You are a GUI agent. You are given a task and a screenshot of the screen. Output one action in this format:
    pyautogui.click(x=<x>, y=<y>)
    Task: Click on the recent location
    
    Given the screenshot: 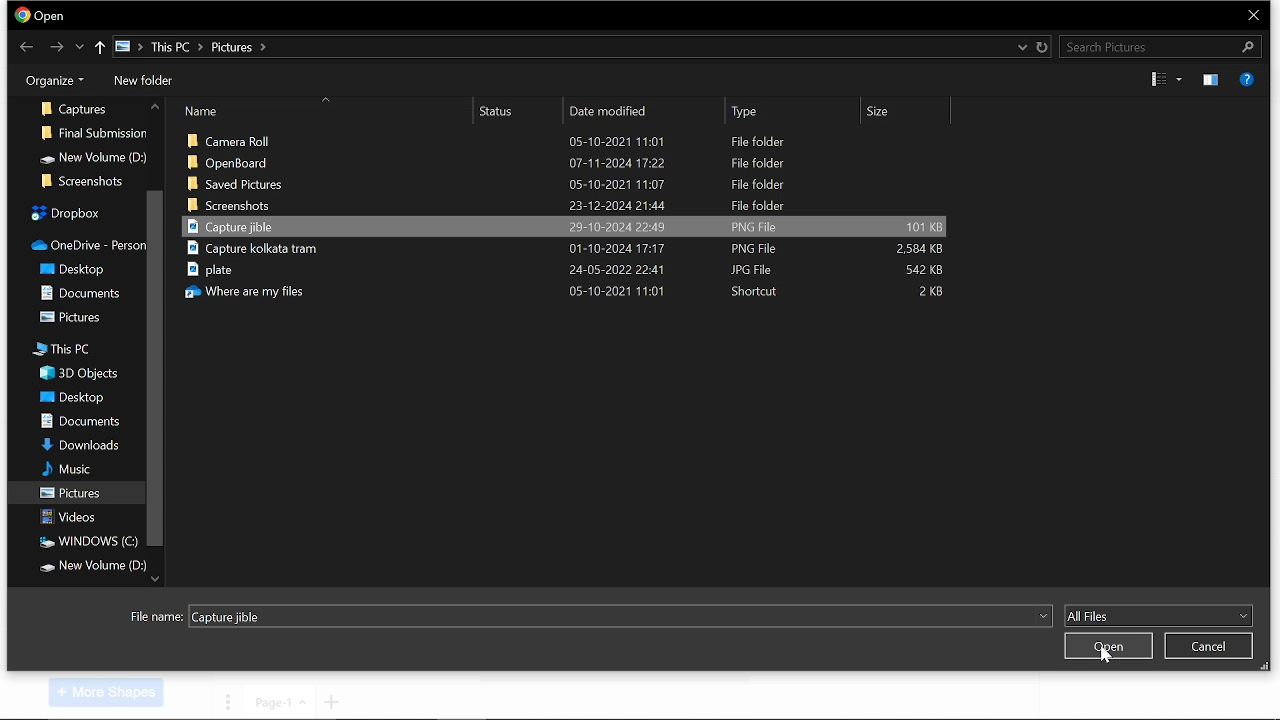 What is the action you would take?
    pyautogui.click(x=1020, y=47)
    